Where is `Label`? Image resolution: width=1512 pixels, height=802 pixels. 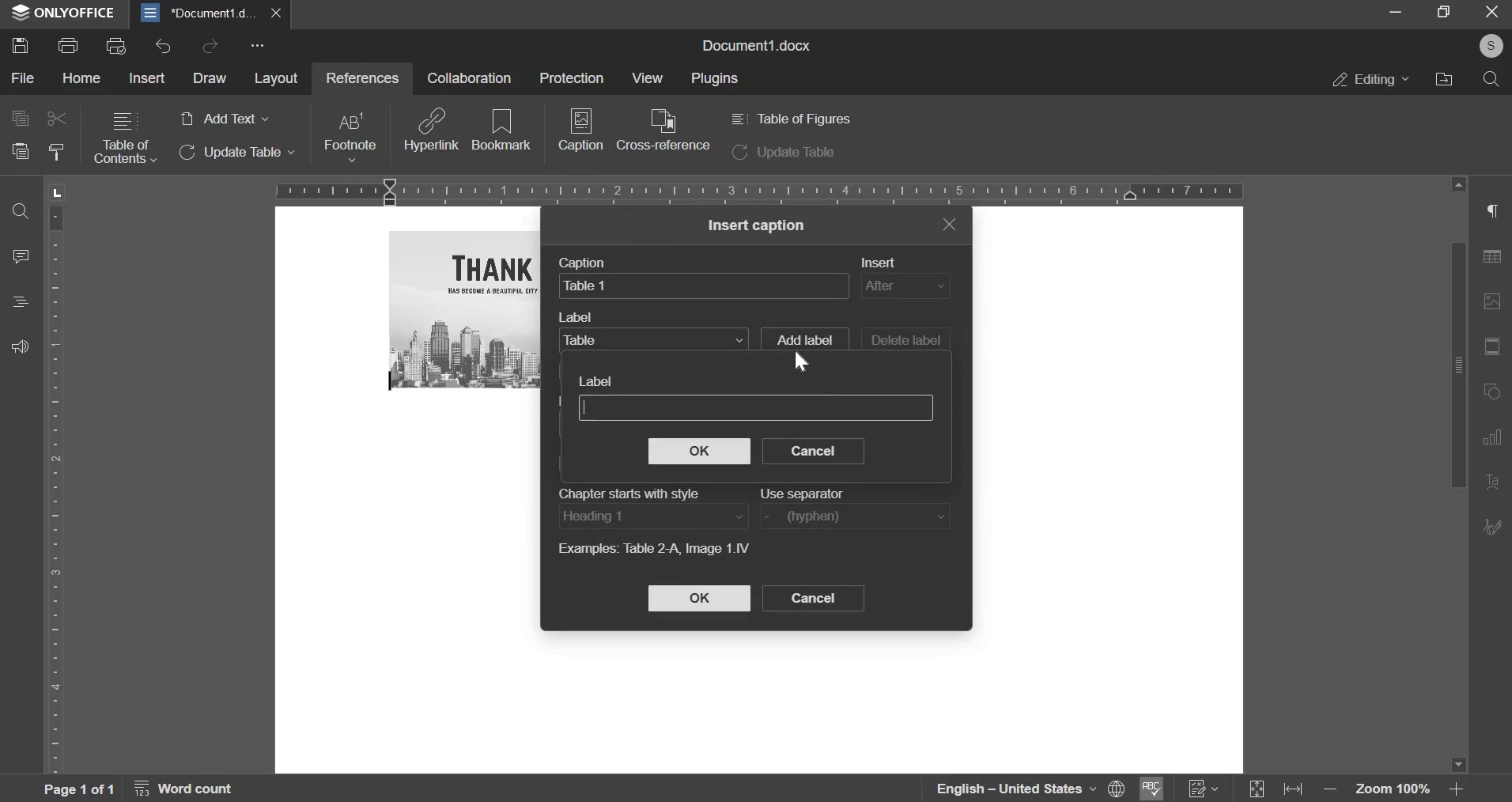
Label is located at coordinates (596, 381).